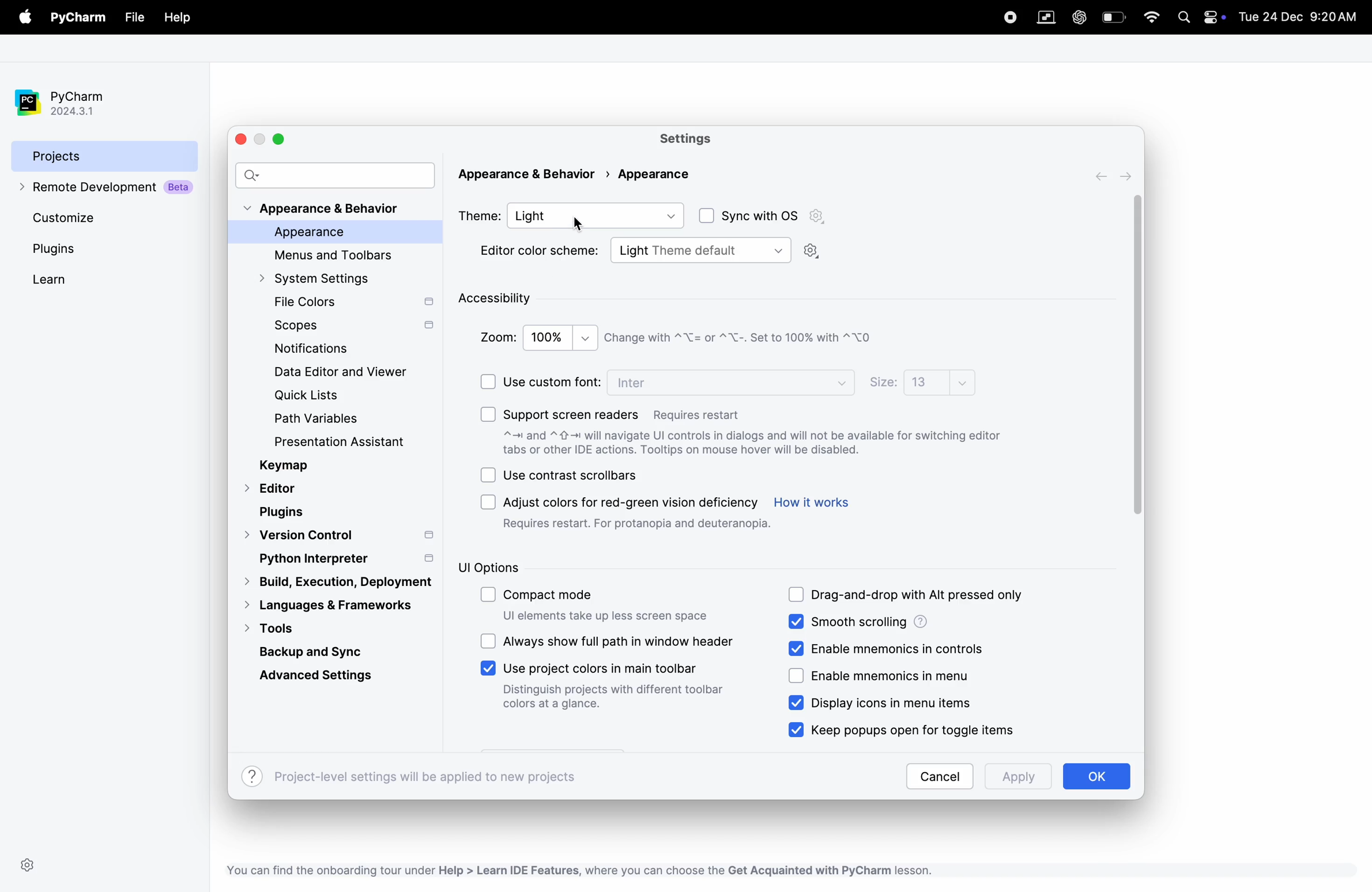  What do you see at coordinates (624, 411) in the screenshot?
I see `support screen readers` at bounding box center [624, 411].